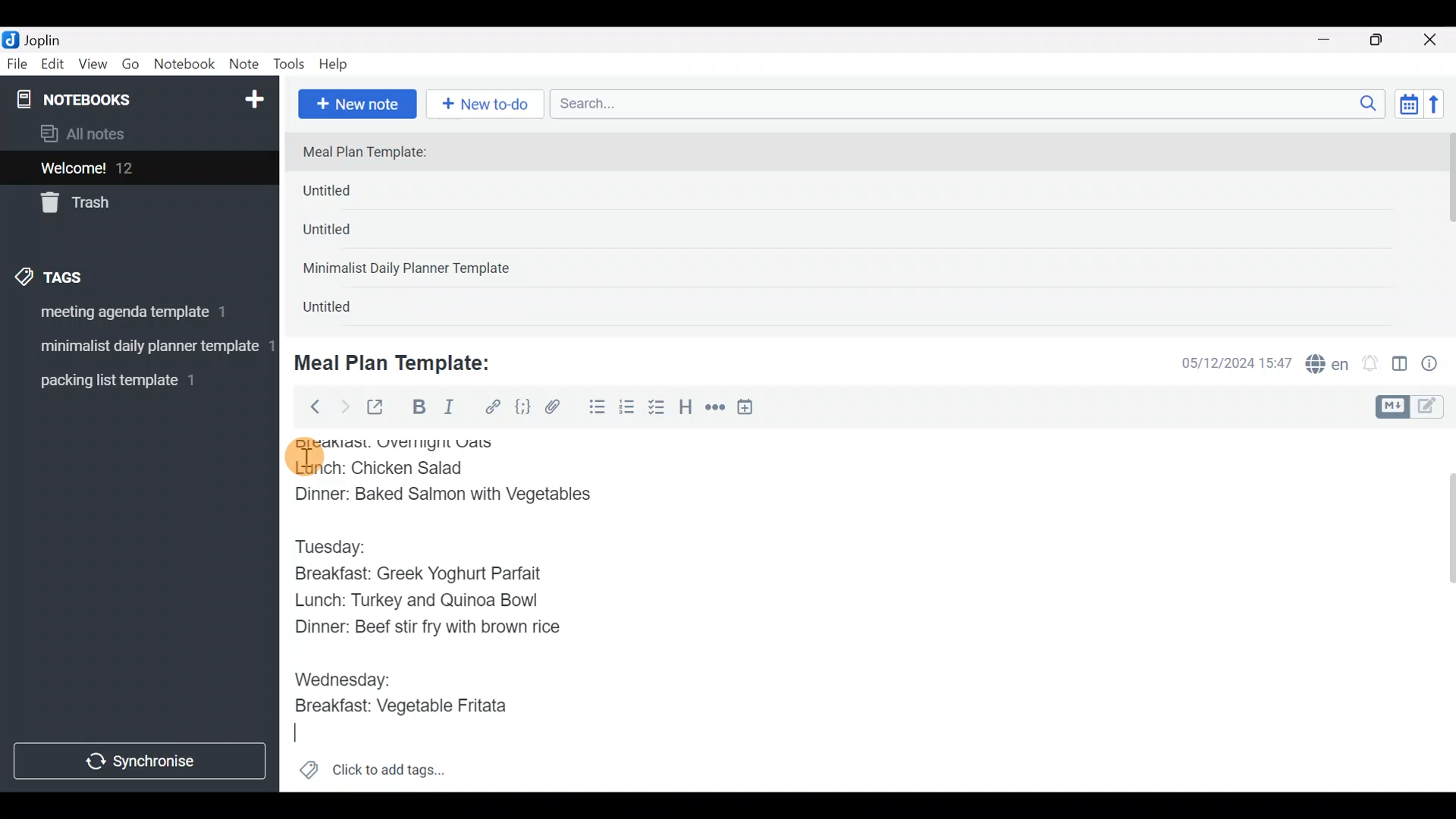 This screenshot has width=1456, height=819. What do you see at coordinates (1225, 362) in the screenshot?
I see `Date & time` at bounding box center [1225, 362].